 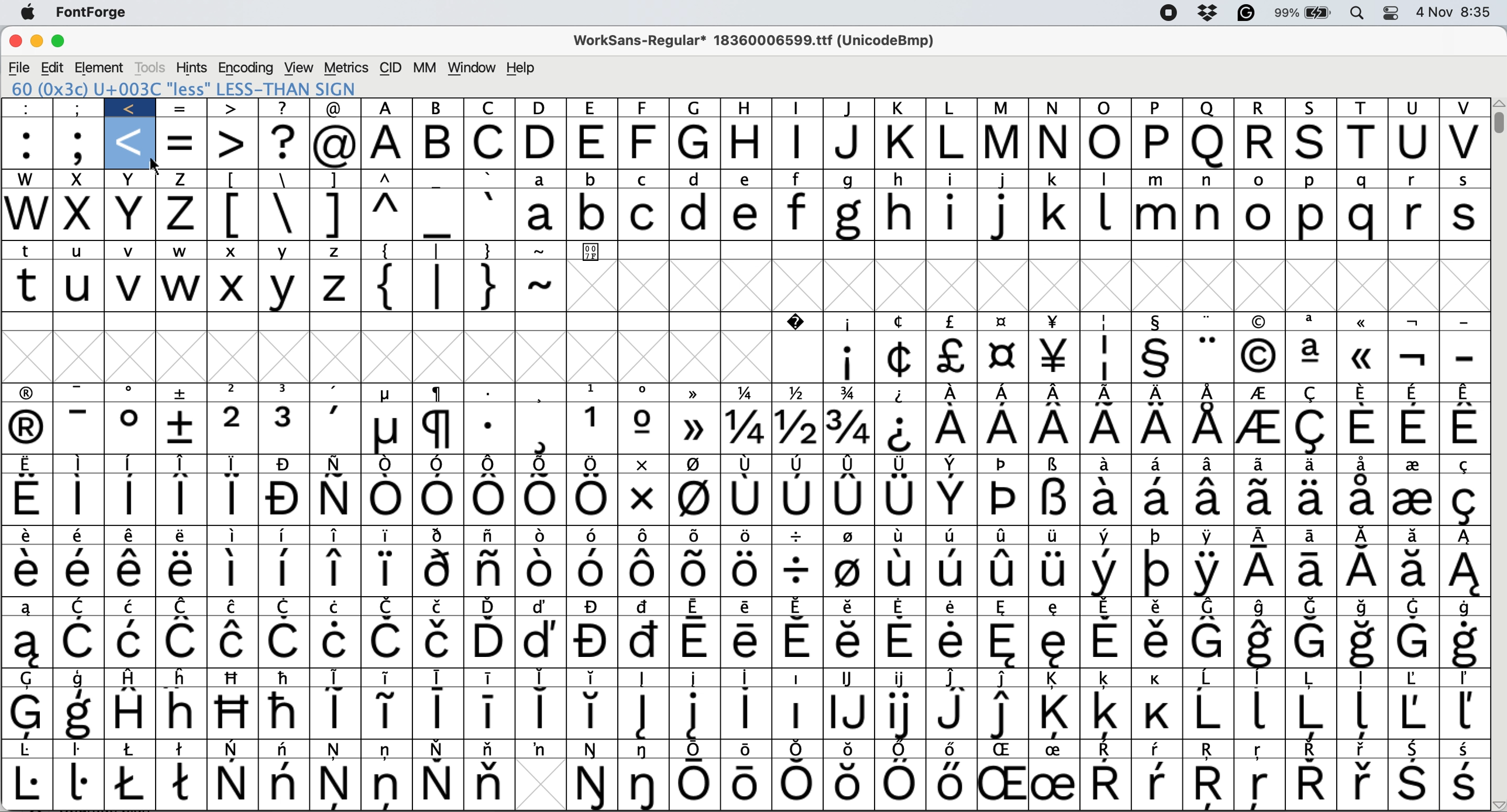 I want to click on m, so click(x=1004, y=108).